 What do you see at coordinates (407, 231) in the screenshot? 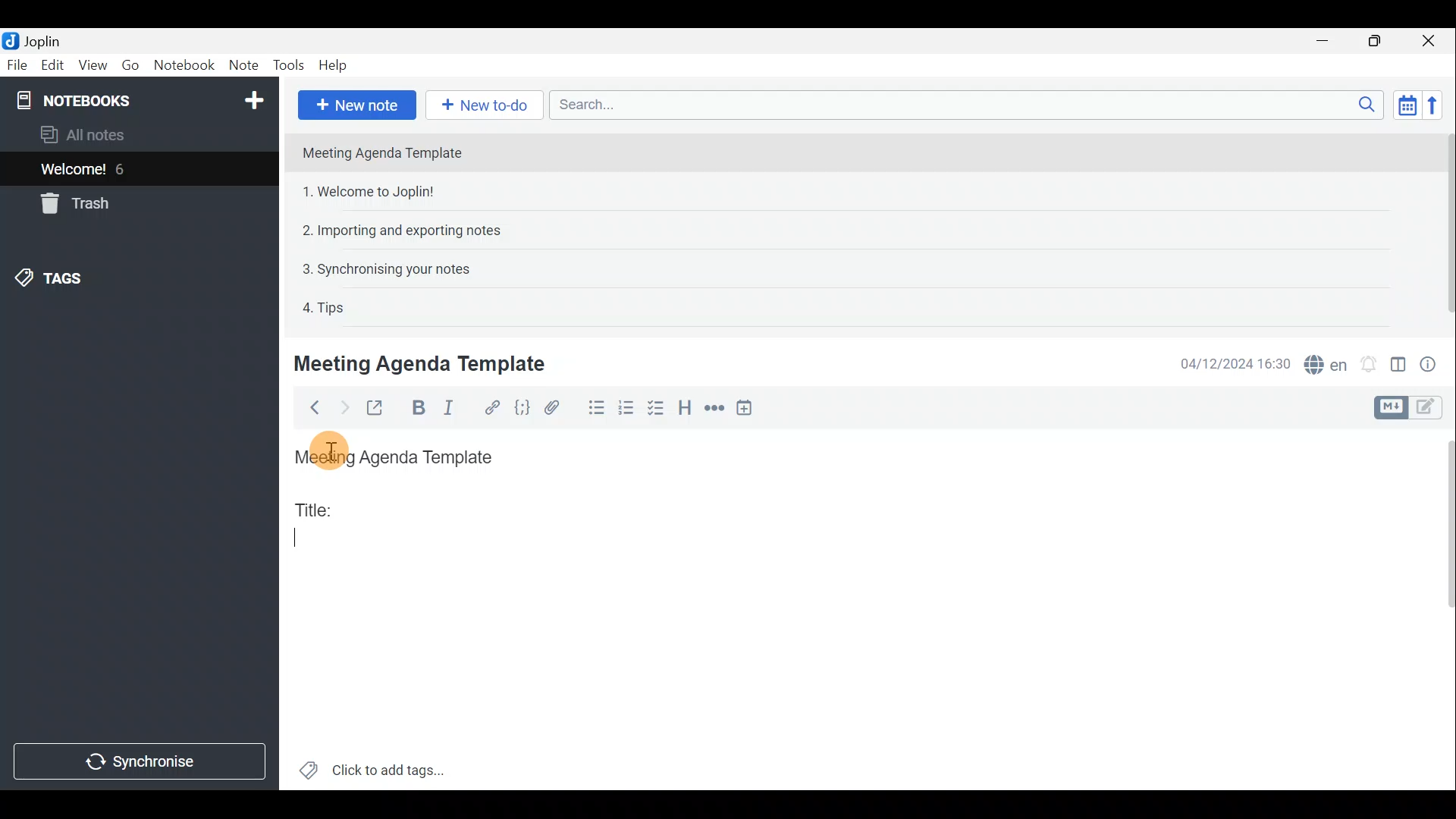
I see `2. Importing and exporting notes` at bounding box center [407, 231].